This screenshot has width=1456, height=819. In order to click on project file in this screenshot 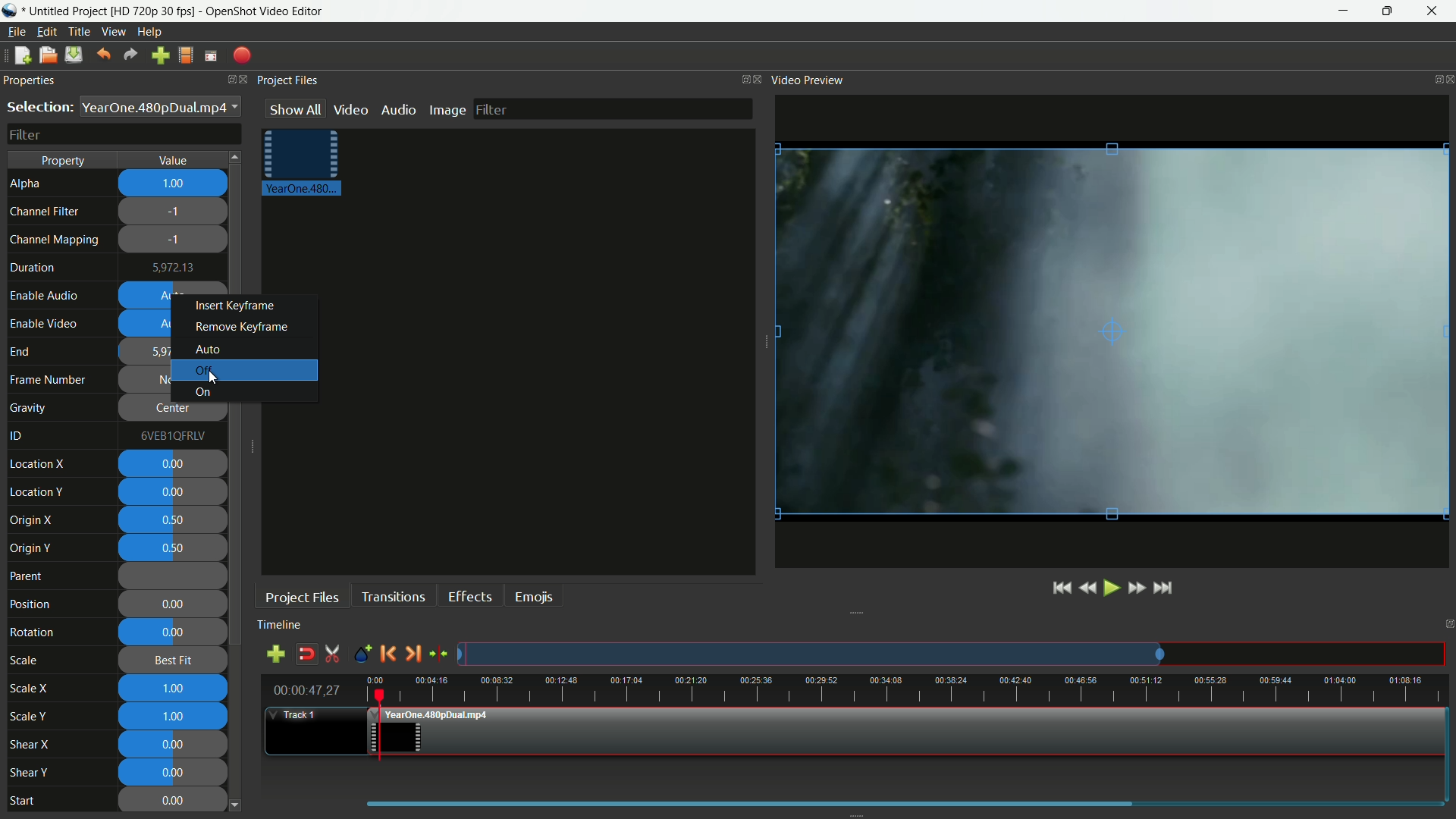, I will do `click(301, 164)`.